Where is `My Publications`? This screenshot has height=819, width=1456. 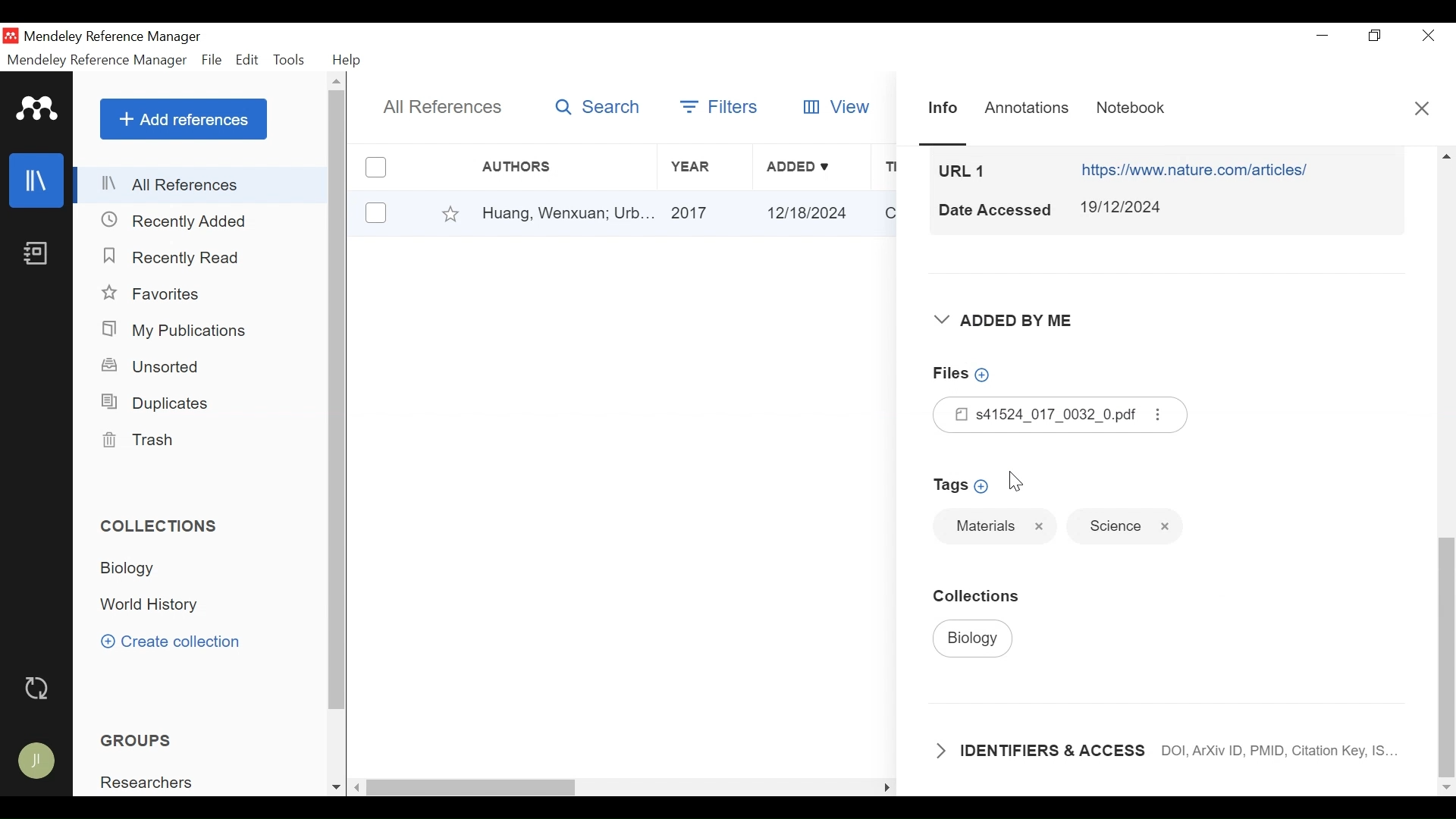
My Publications is located at coordinates (185, 330).